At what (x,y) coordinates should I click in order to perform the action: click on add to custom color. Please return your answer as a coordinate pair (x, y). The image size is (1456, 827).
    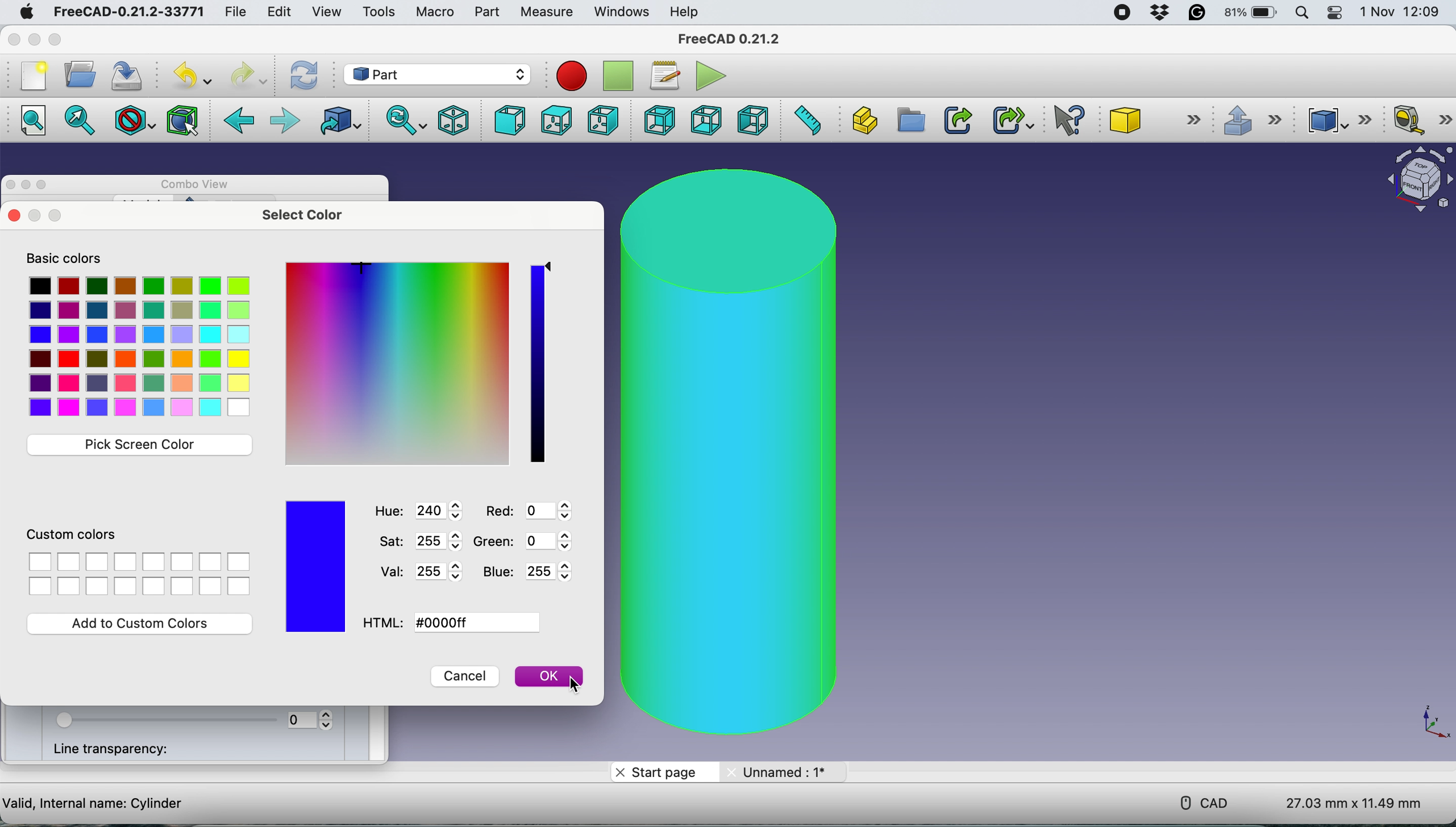
    Looking at the image, I should click on (147, 624).